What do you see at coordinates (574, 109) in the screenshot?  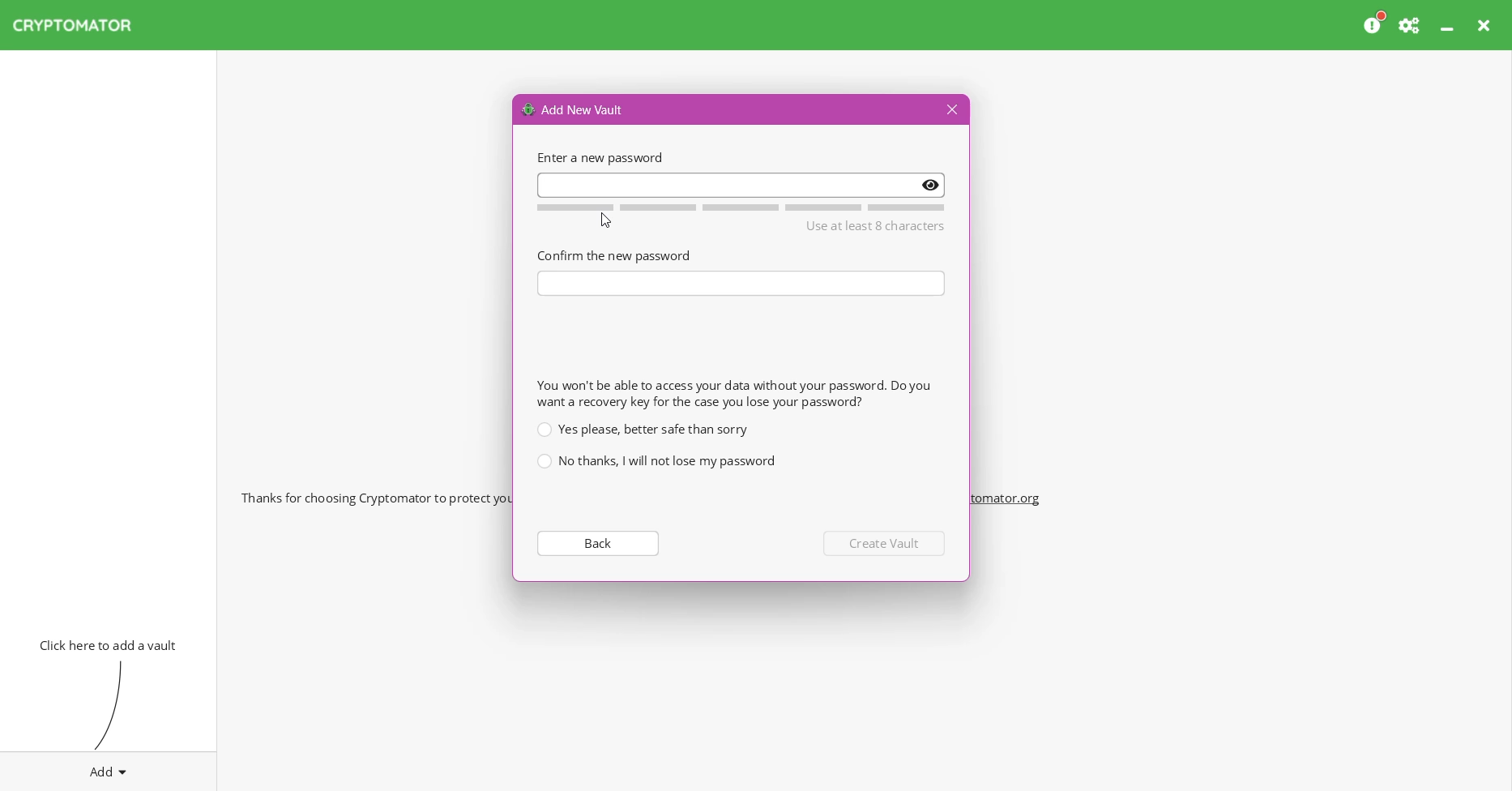 I see `Add New Vault` at bounding box center [574, 109].